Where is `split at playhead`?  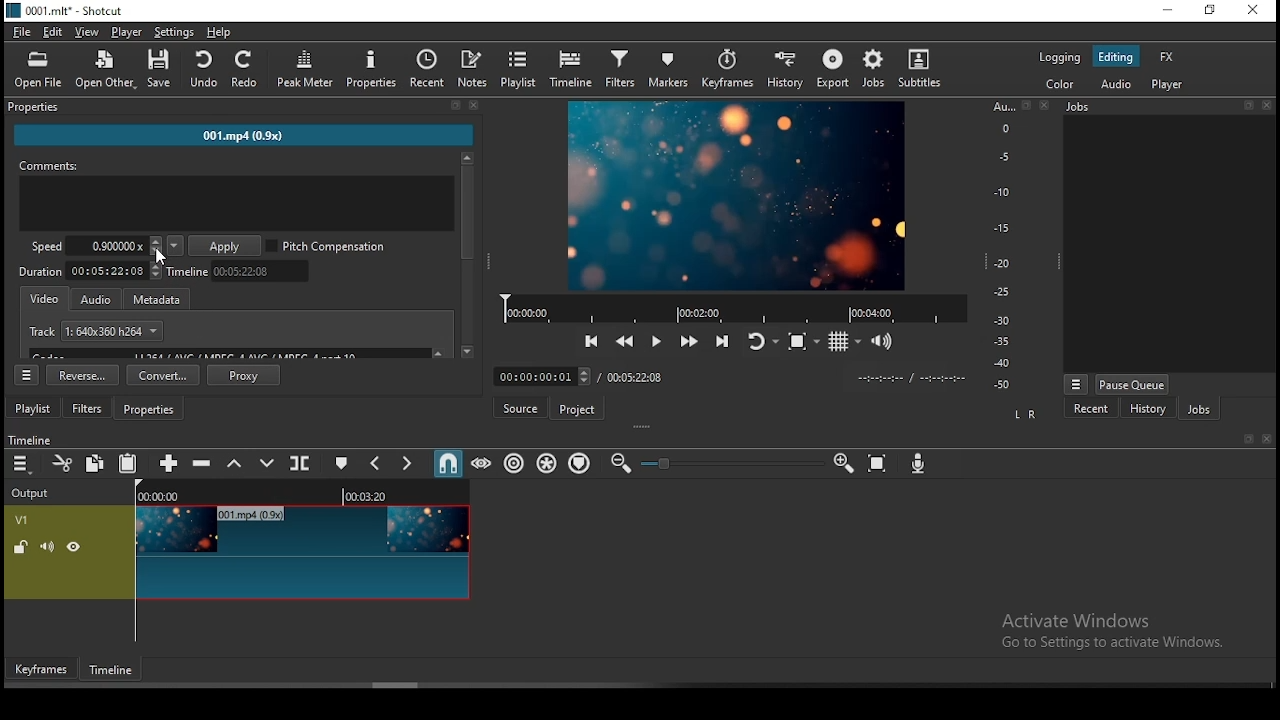
split at playhead is located at coordinates (299, 464).